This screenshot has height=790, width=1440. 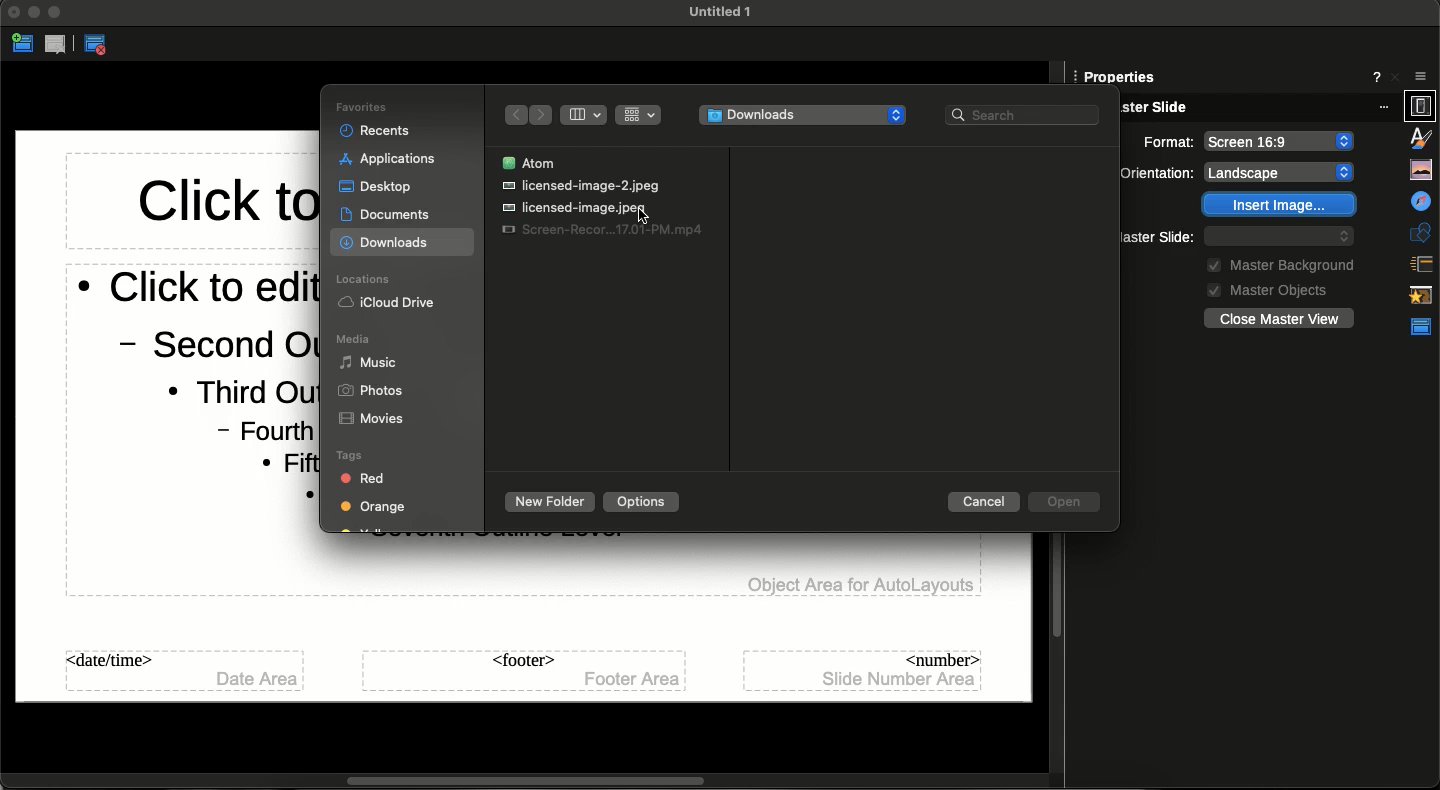 What do you see at coordinates (714, 11) in the screenshot?
I see `File name` at bounding box center [714, 11].